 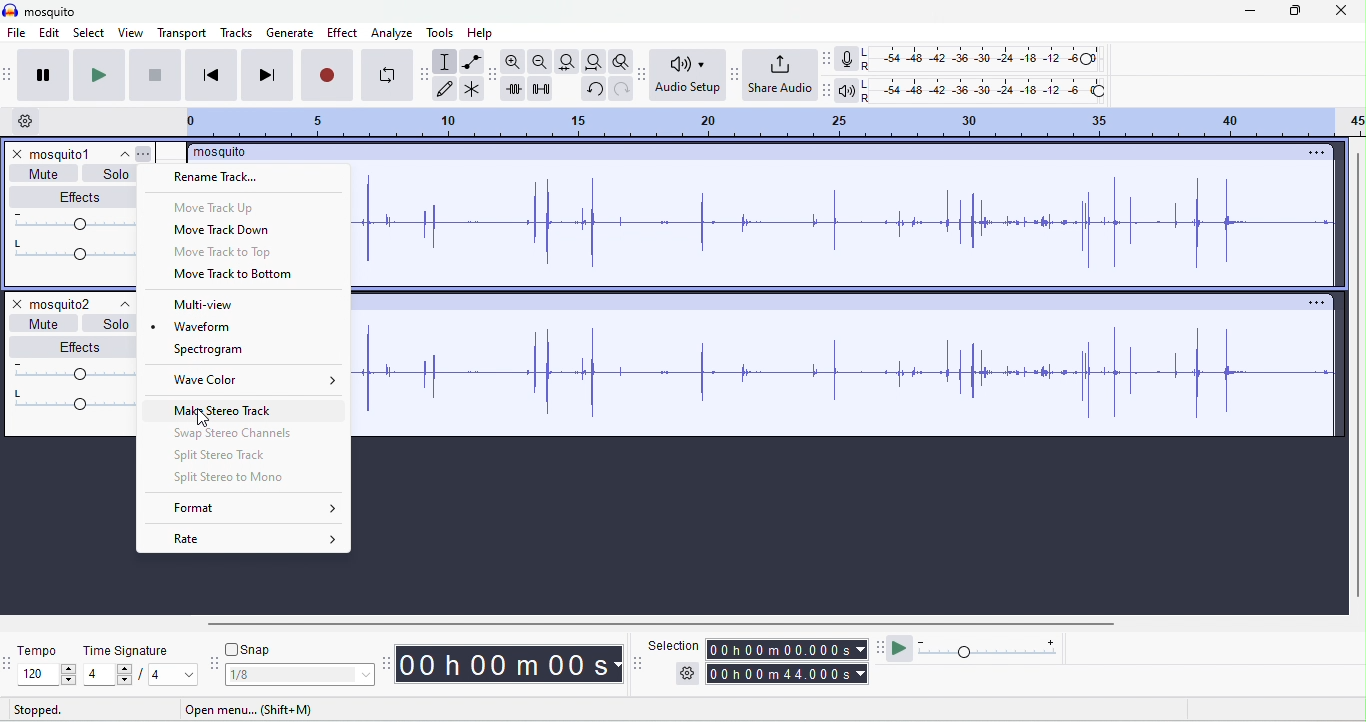 I want to click on select time signature, so click(x=140, y=675).